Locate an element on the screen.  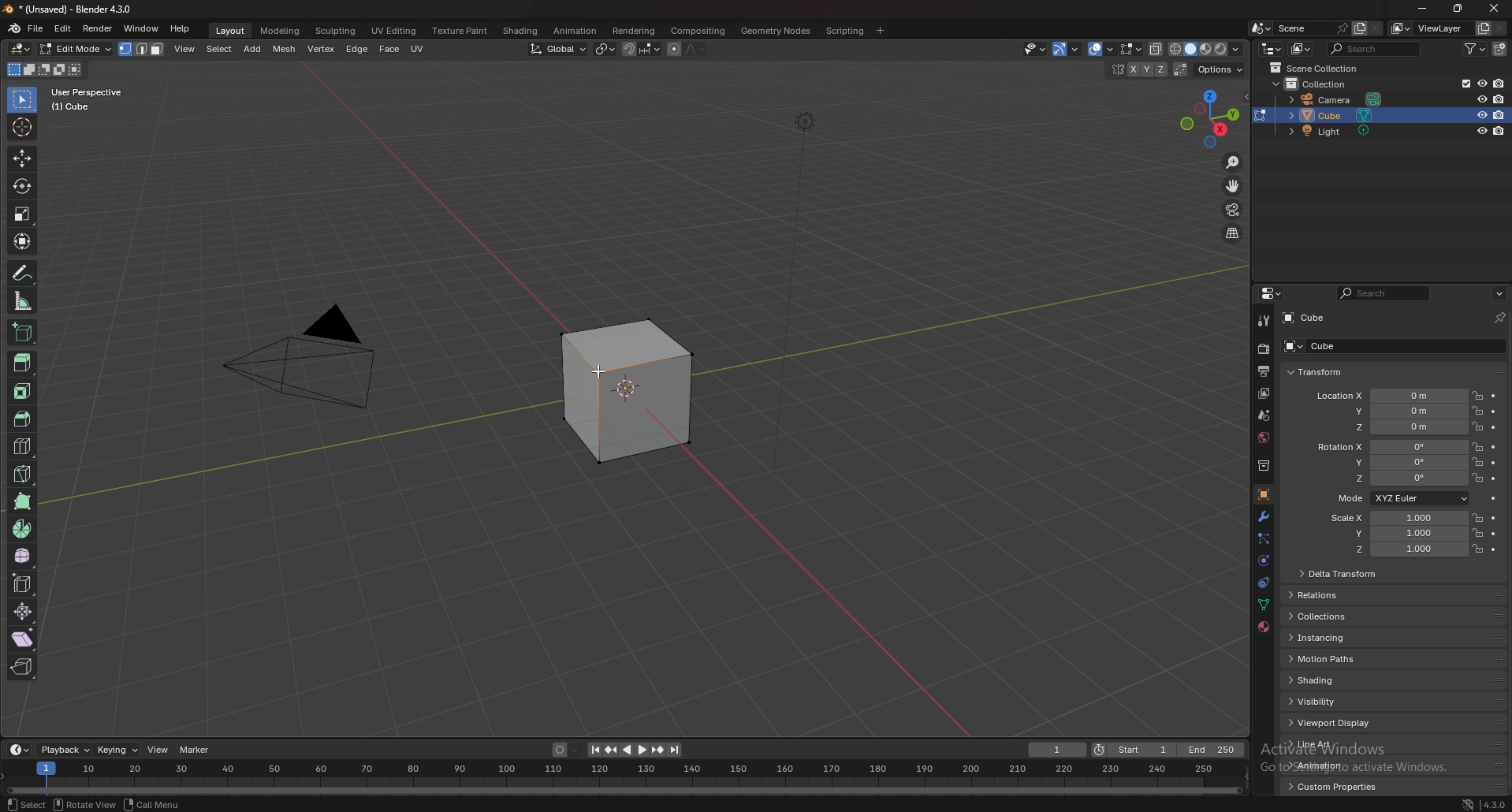
auto keying is located at coordinates (564, 750).